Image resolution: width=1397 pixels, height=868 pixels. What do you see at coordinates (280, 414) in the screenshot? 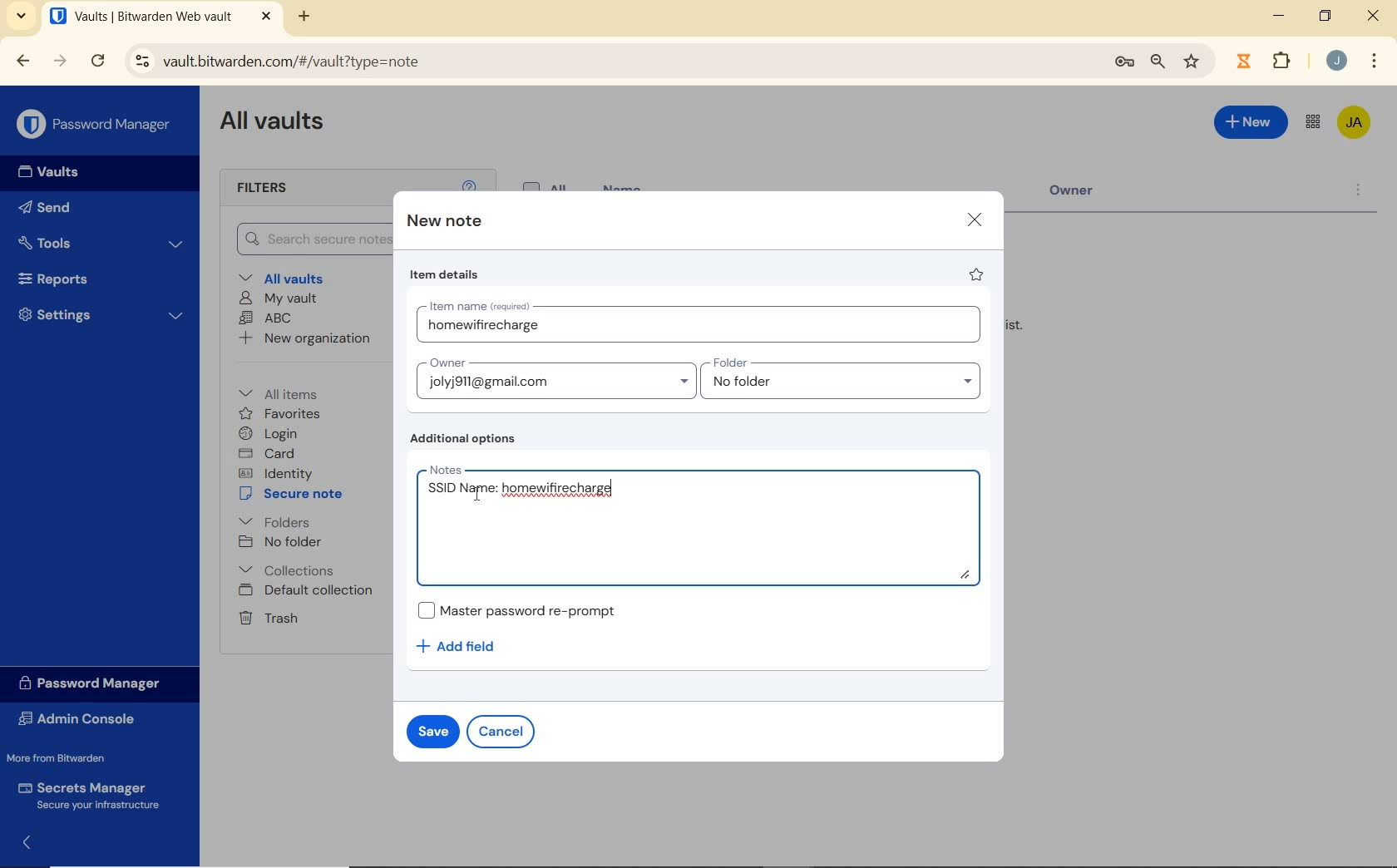
I see `favorites` at bounding box center [280, 414].